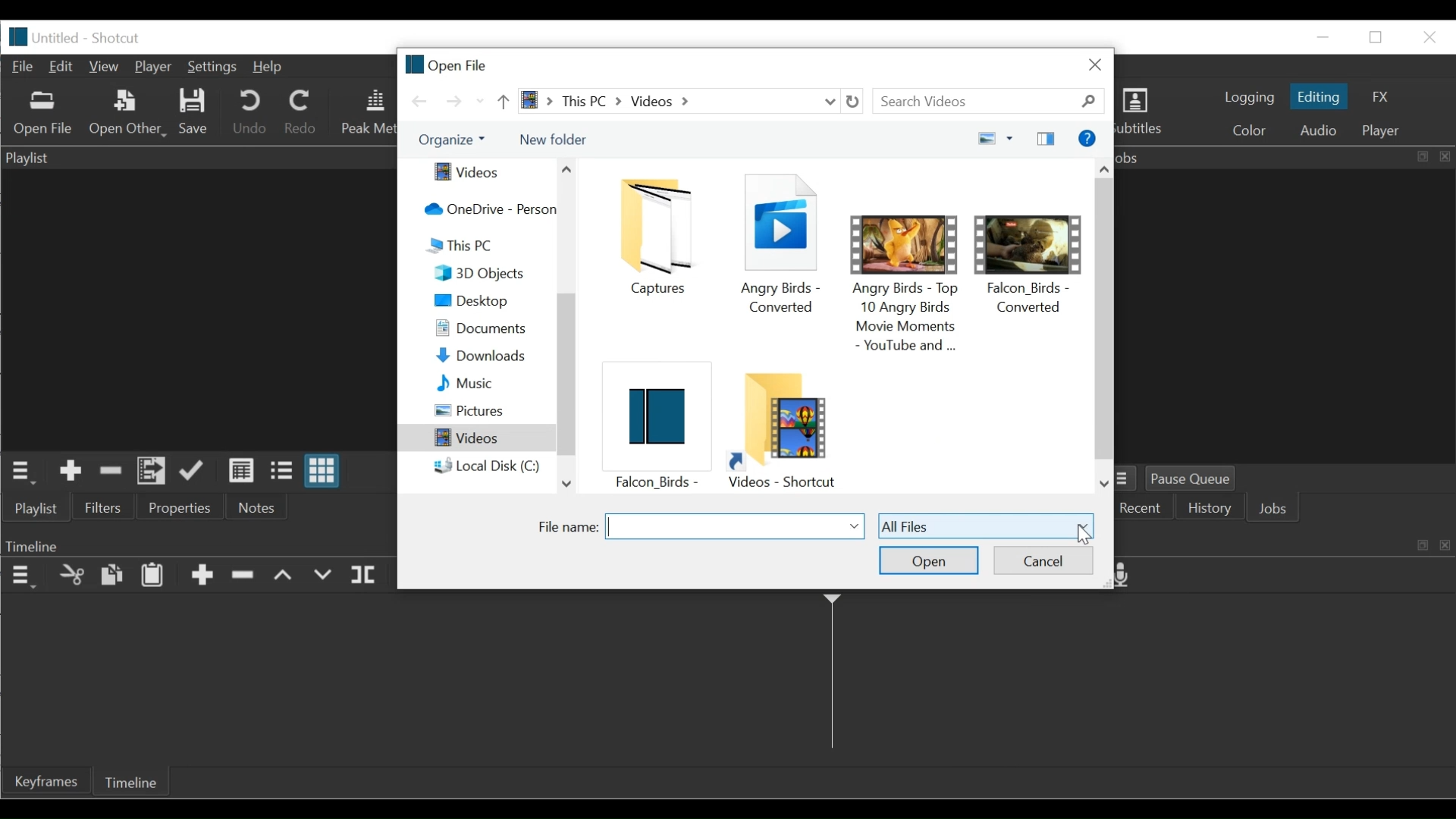 This screenshot has height=819, width=1456. Describe the element at coordinates (1012, 137) in the screenshot. I see `more options` at that location.